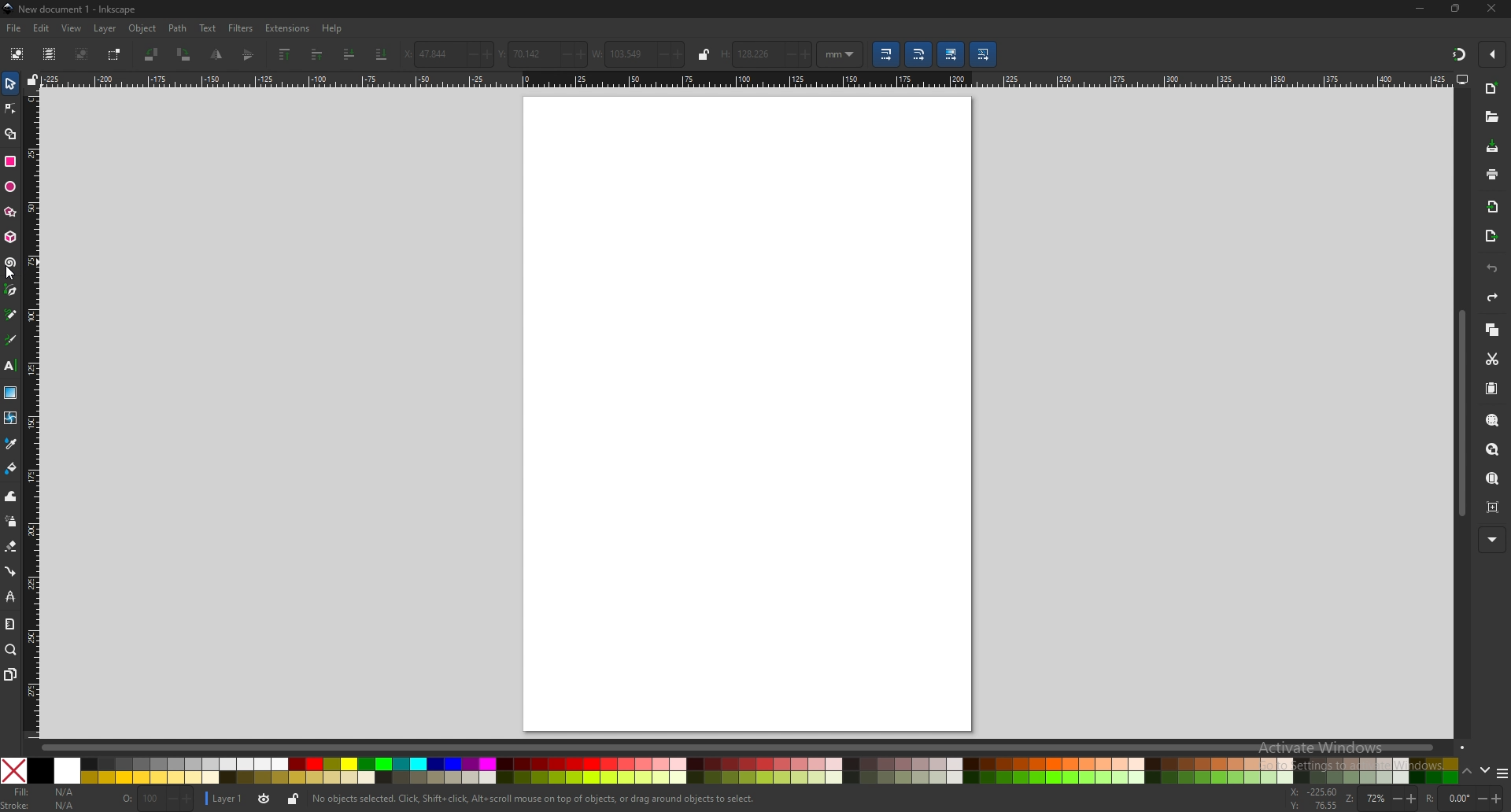  Describe the element at coordinates (1492, 538) in the screenshot. I see `more` at that location.